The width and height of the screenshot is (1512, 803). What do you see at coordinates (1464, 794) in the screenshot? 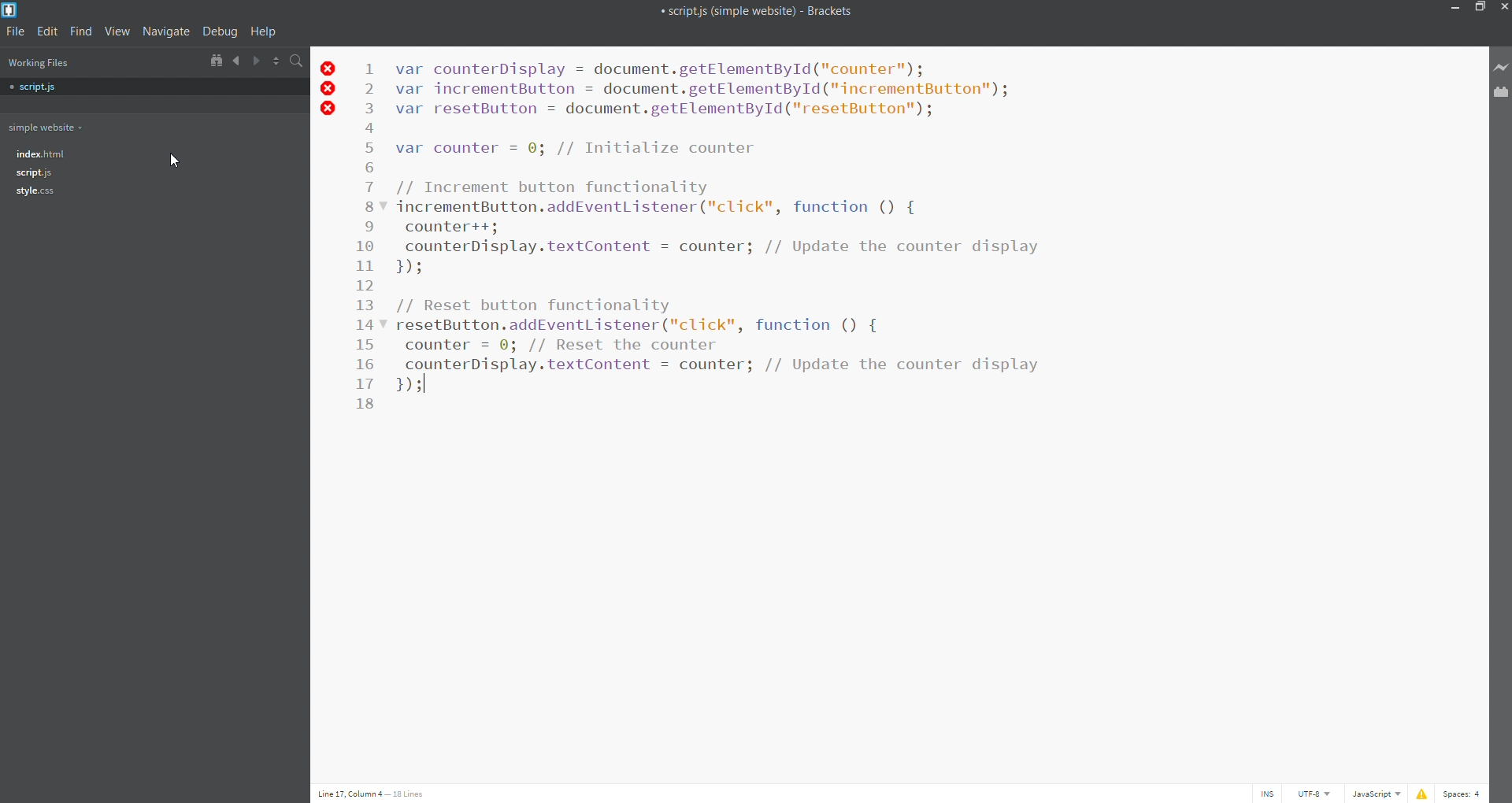
I see `space count` at bounding box center [1464, 794].